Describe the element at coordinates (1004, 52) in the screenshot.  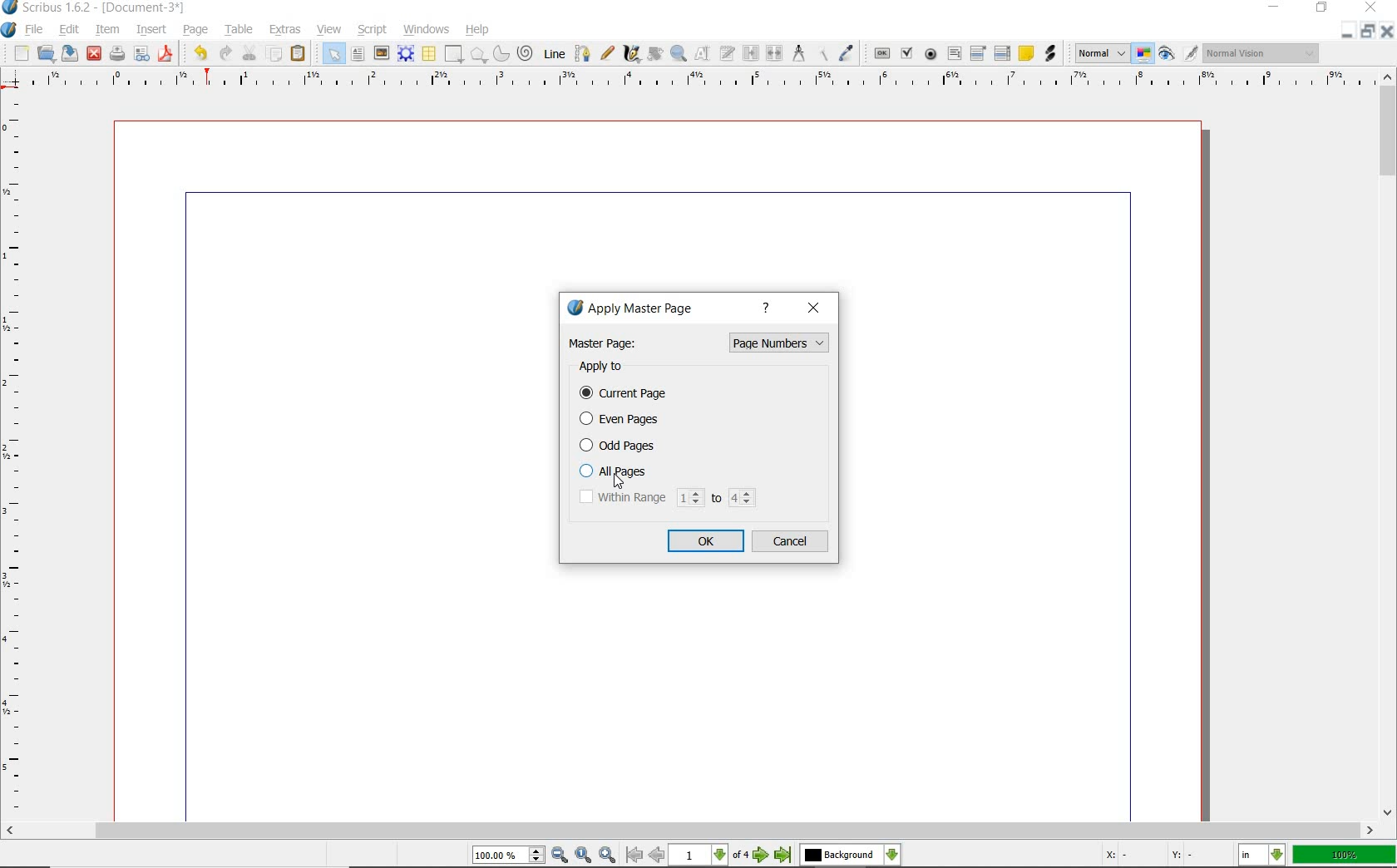
I see `pdf list box` at that location.